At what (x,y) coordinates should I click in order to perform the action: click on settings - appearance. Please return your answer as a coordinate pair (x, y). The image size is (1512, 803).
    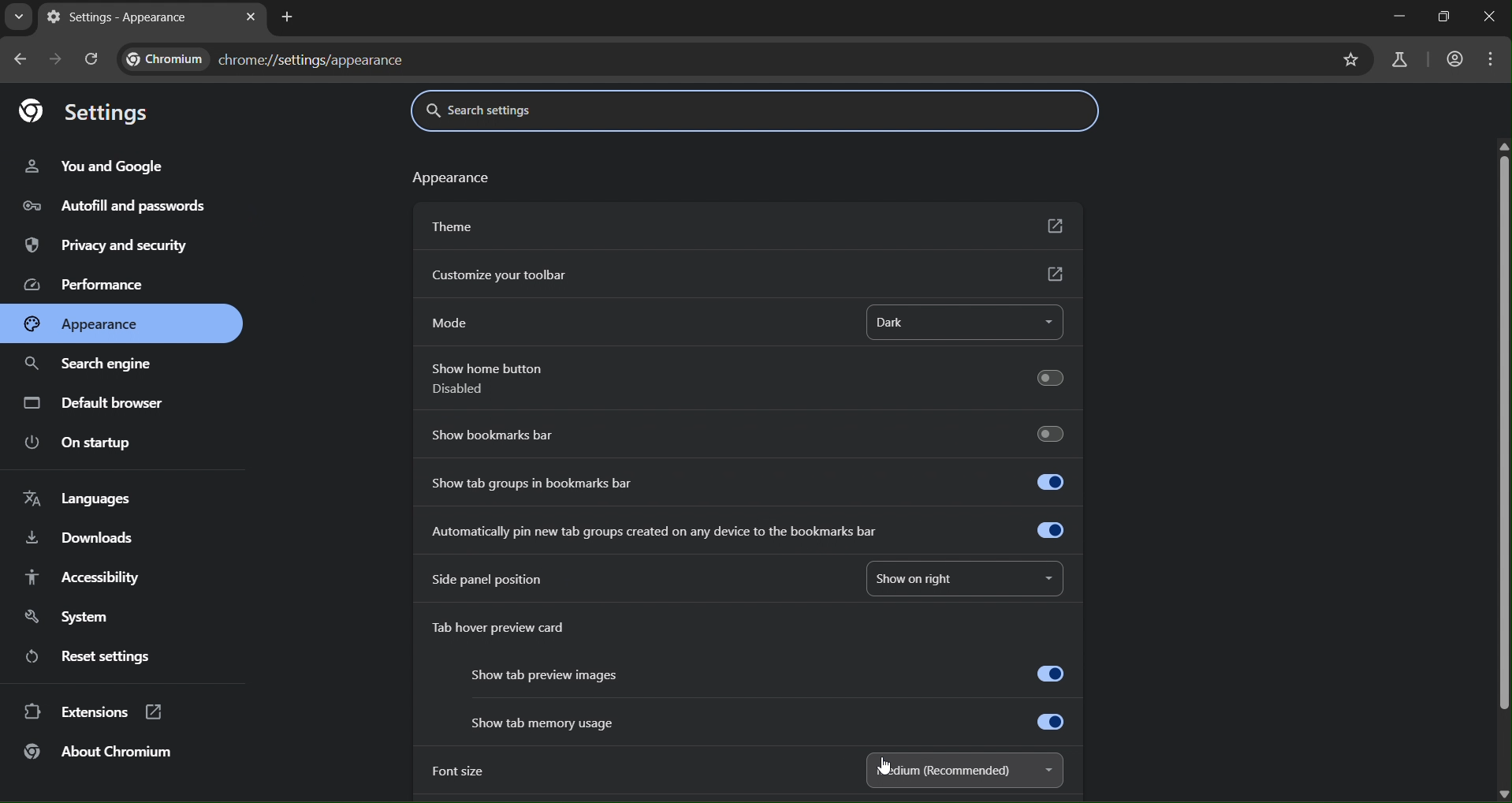
    Looking at the image, I should click on (119, 18).